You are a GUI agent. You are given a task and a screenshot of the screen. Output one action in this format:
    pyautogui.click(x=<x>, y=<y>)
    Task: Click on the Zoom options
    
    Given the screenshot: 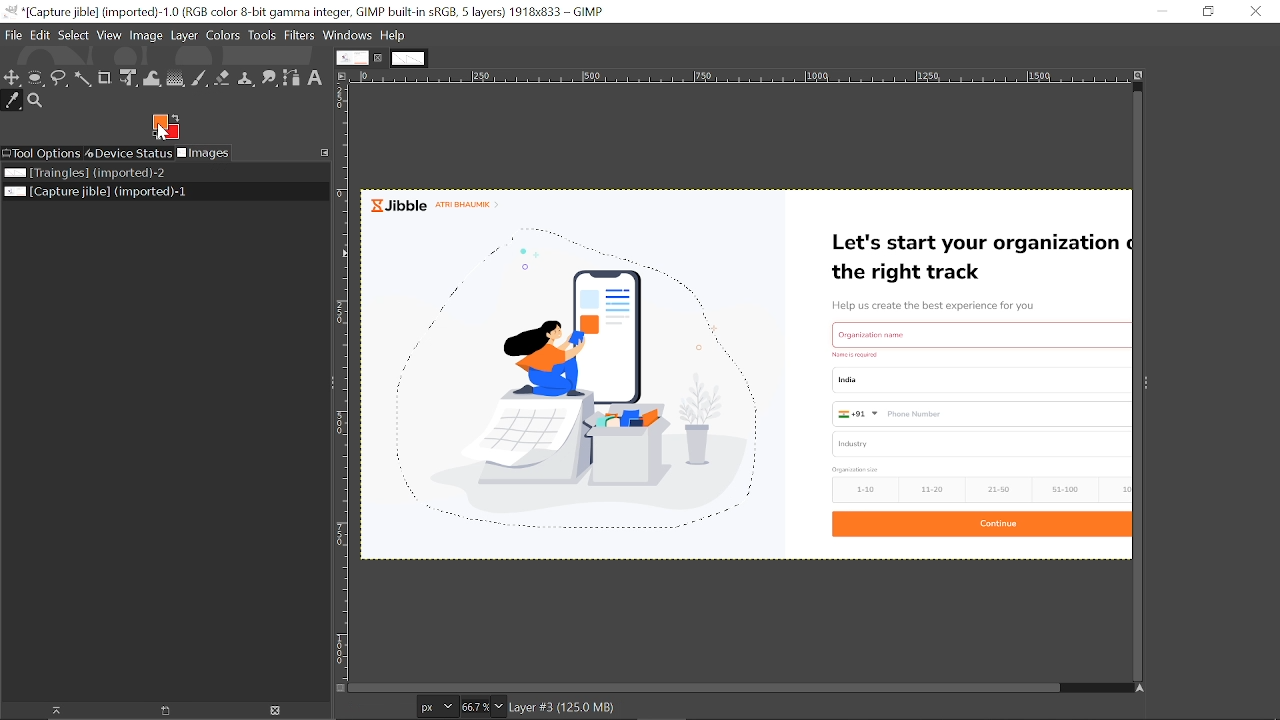 What is the action you would take?
    pyautogui.click(x=500, y=706)
    